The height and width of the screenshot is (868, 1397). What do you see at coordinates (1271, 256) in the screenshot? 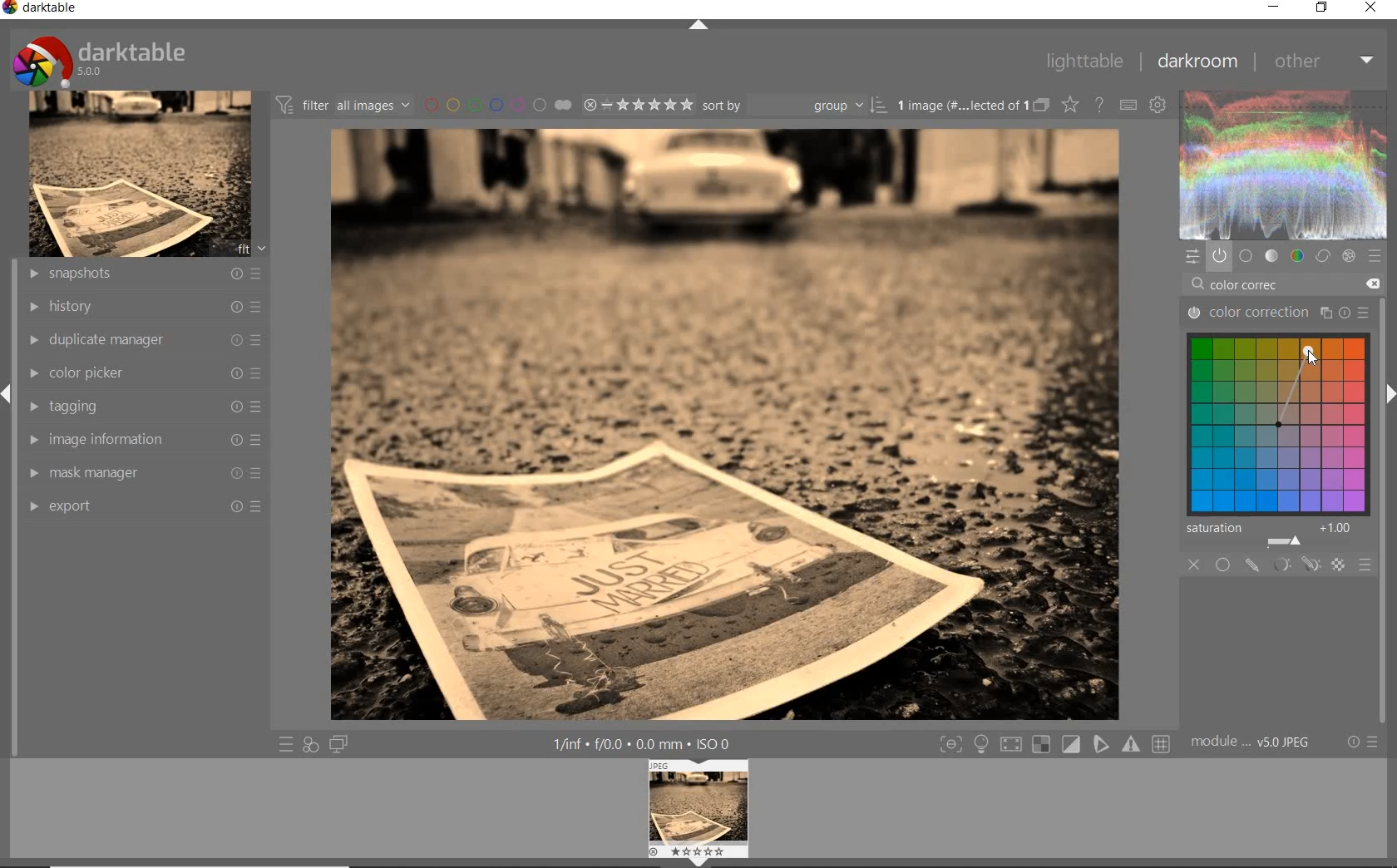
I see `tone` at bounding box center [1271, 256].